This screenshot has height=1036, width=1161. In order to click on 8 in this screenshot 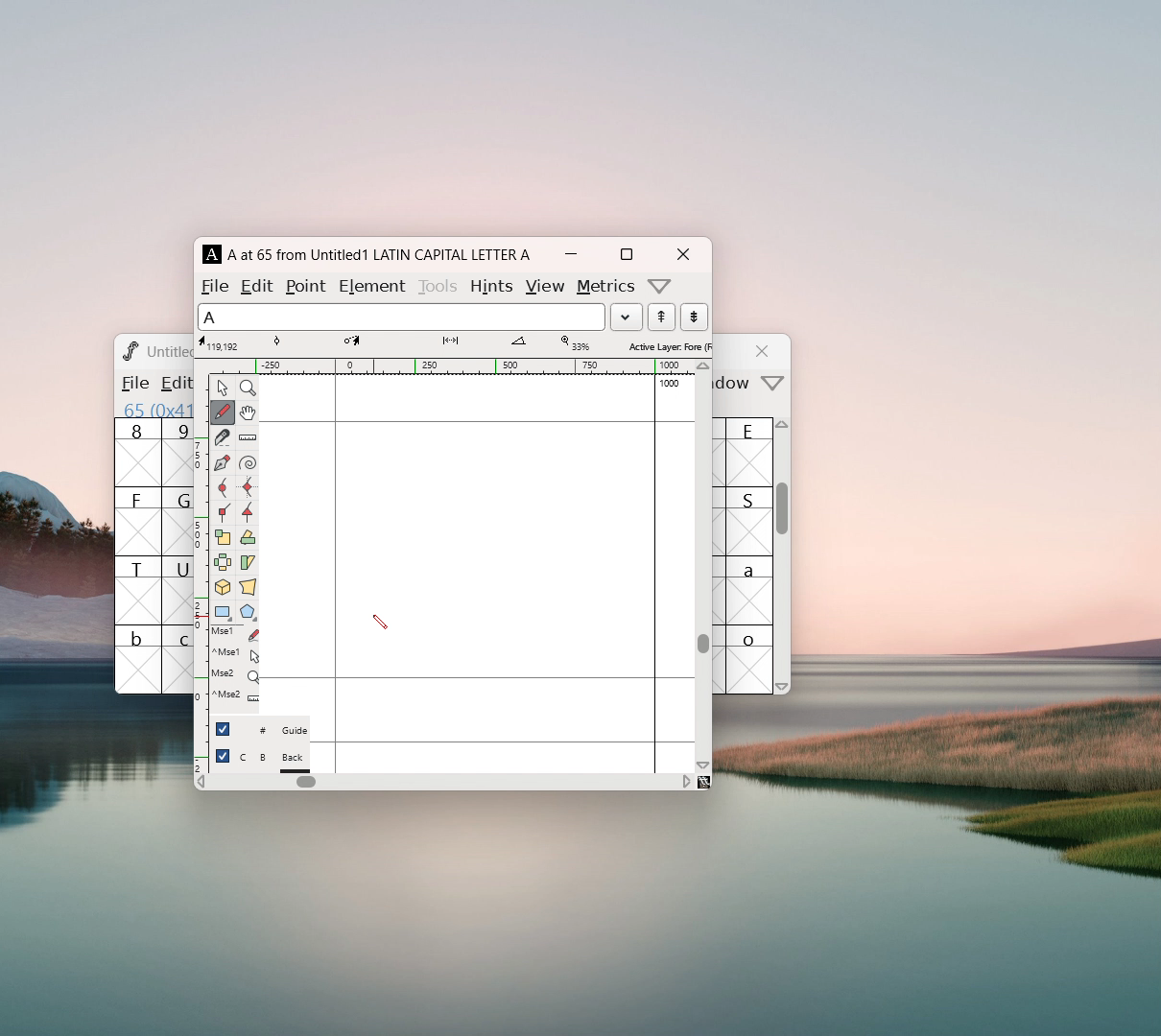, I will do `click(137, 453)`.